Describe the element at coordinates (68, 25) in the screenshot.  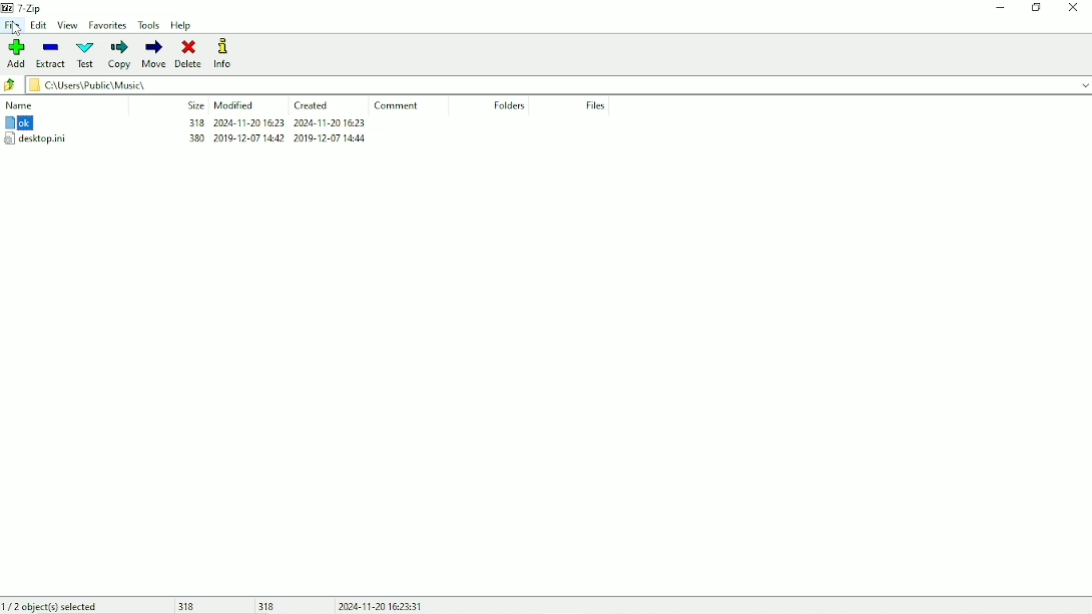
I see `View` at that location.